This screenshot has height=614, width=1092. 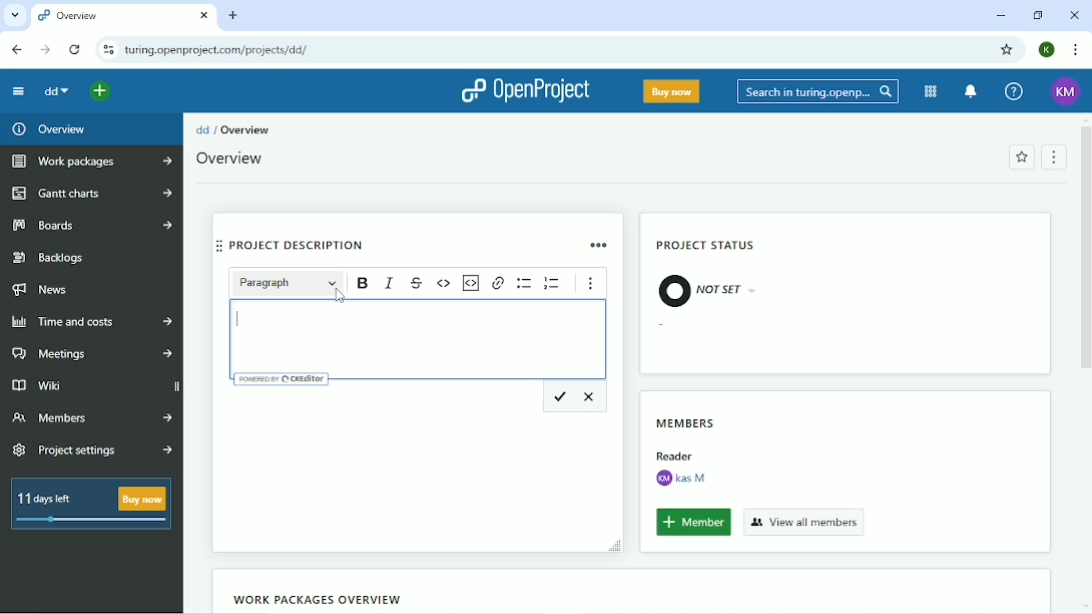 What do you see at coordinates (238, 318) in the screenshot?
I see `Cursor` at bounding box center [238, 318].